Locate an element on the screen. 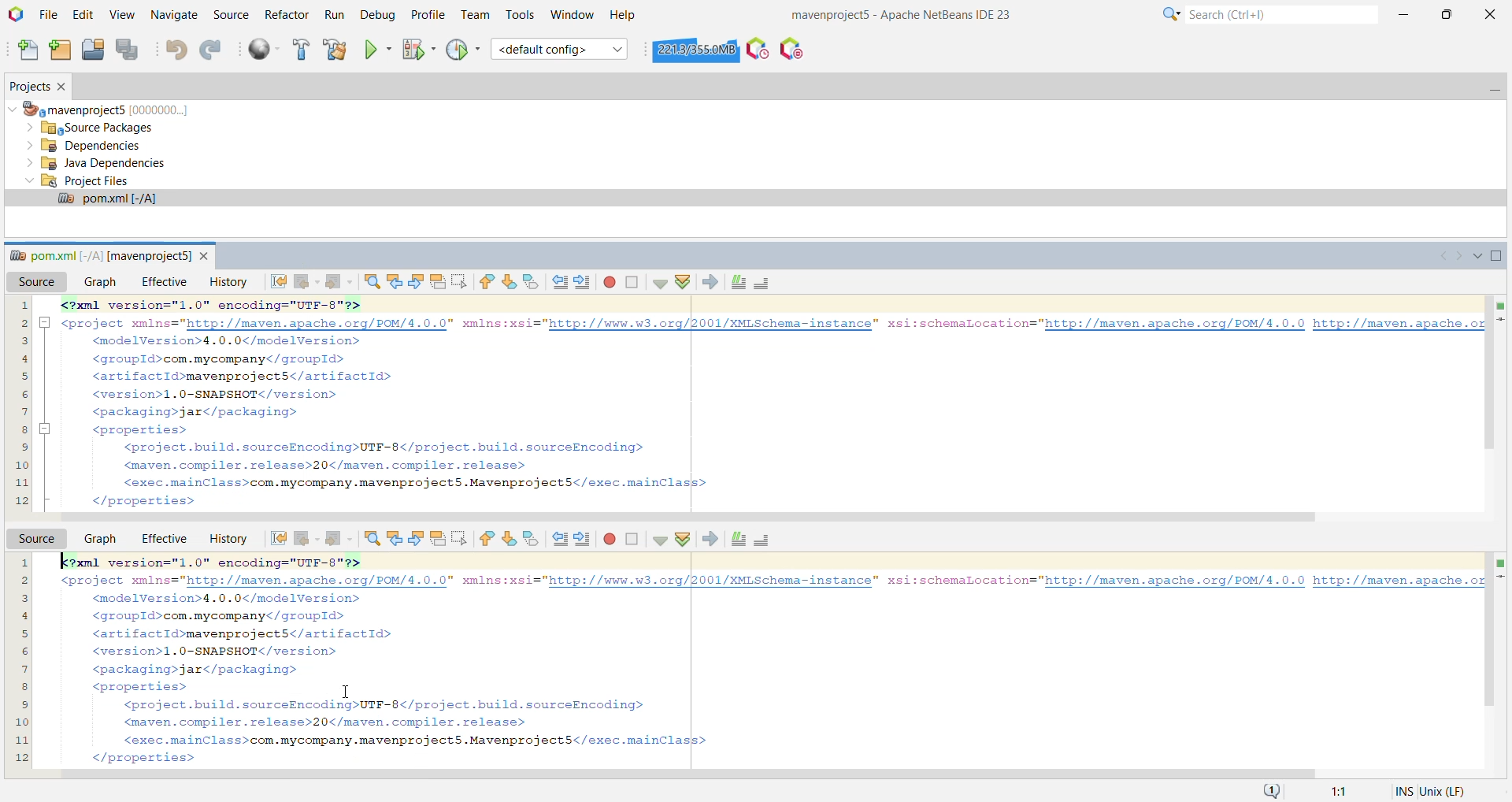  <artifactlIdimavenprojectsS</artifactlId> is located at coordinates (249, 377).